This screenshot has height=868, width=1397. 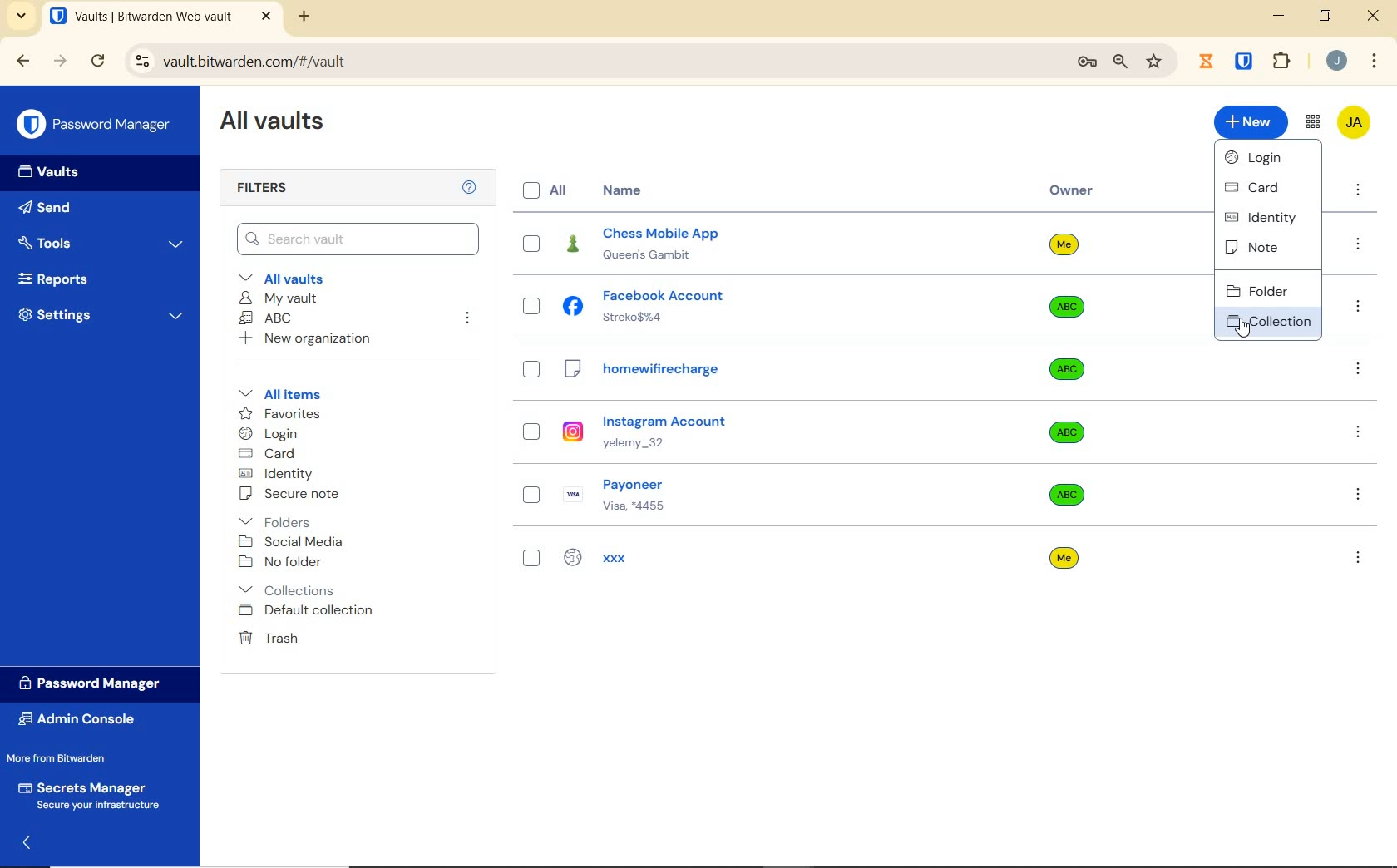 I want to click on more options, so click(x=1360, y=245).